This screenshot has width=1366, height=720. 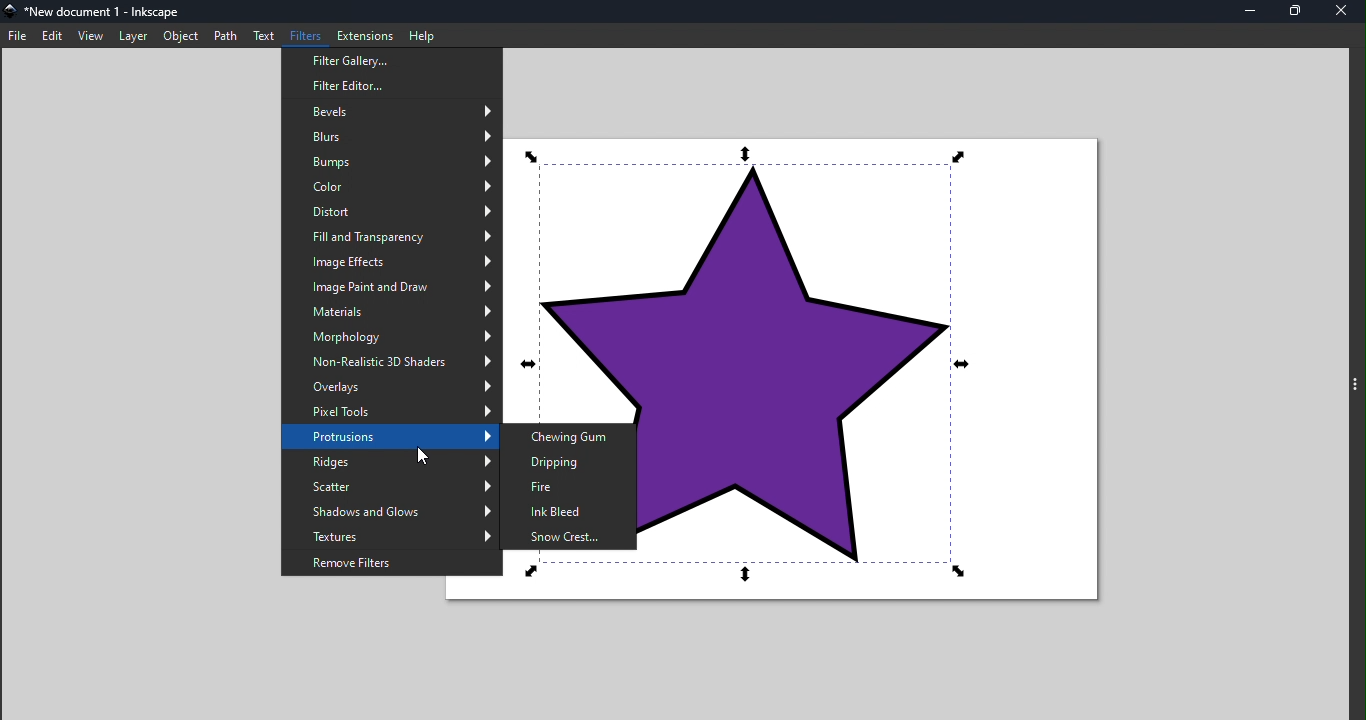 What do you see at coordinates (390, 511) in the screenshot?
I see `Shadows and Glows` at bounding box center [390, 511].